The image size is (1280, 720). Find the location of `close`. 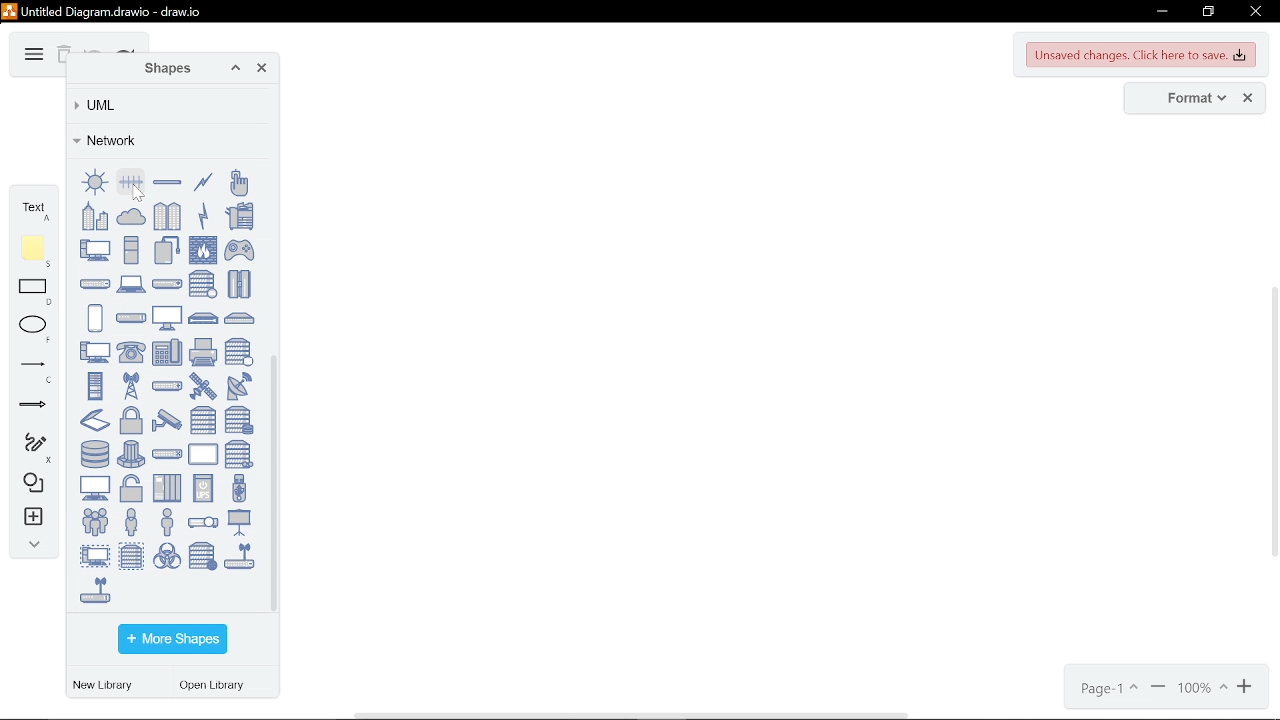

close is located at coordinates (1254, 13).